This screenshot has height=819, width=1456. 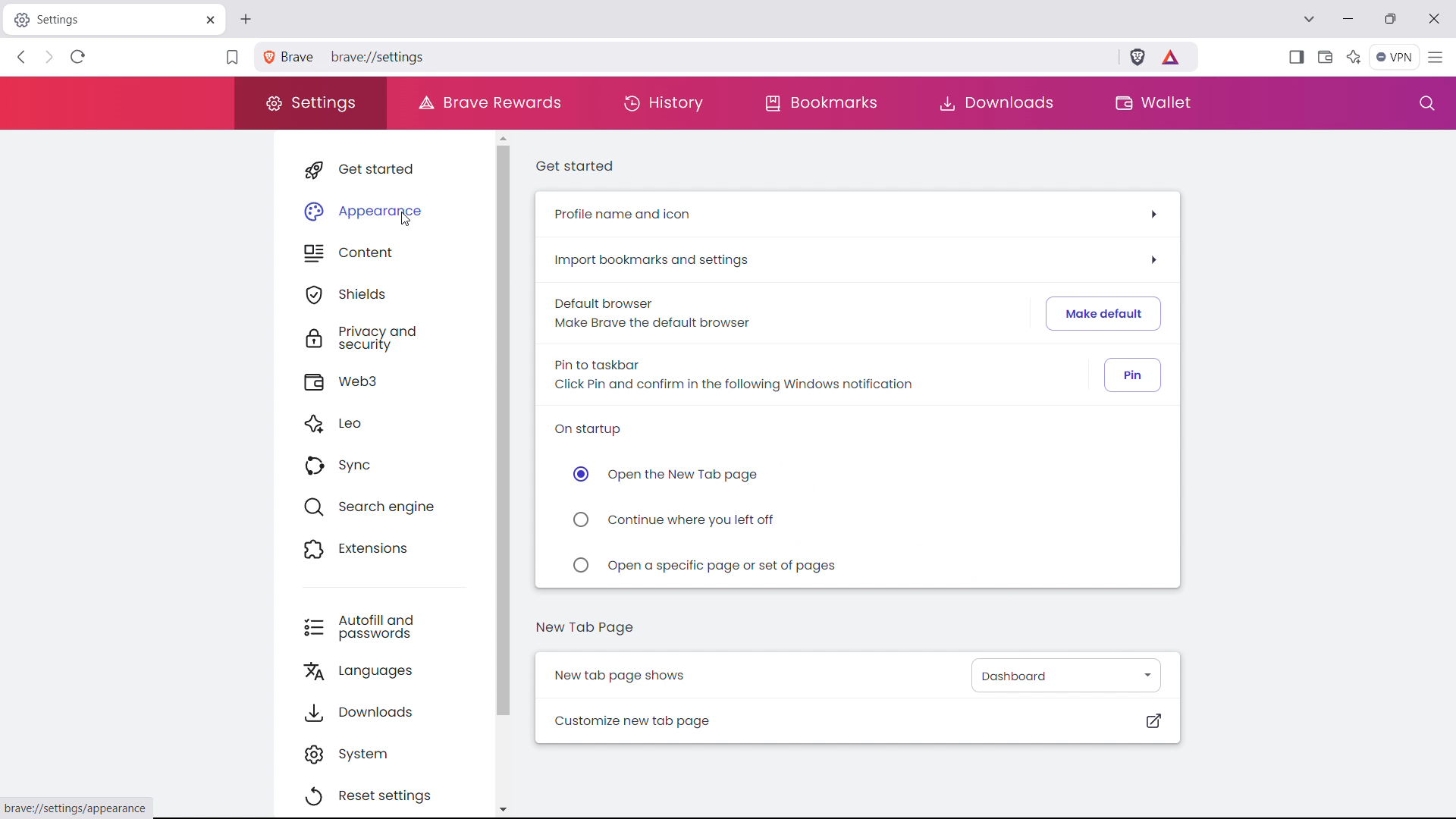 What do you see at coordinates (21, 56) in the screenshot?
I see `click to go back, hold to see history` at bounding box center [21, 56].